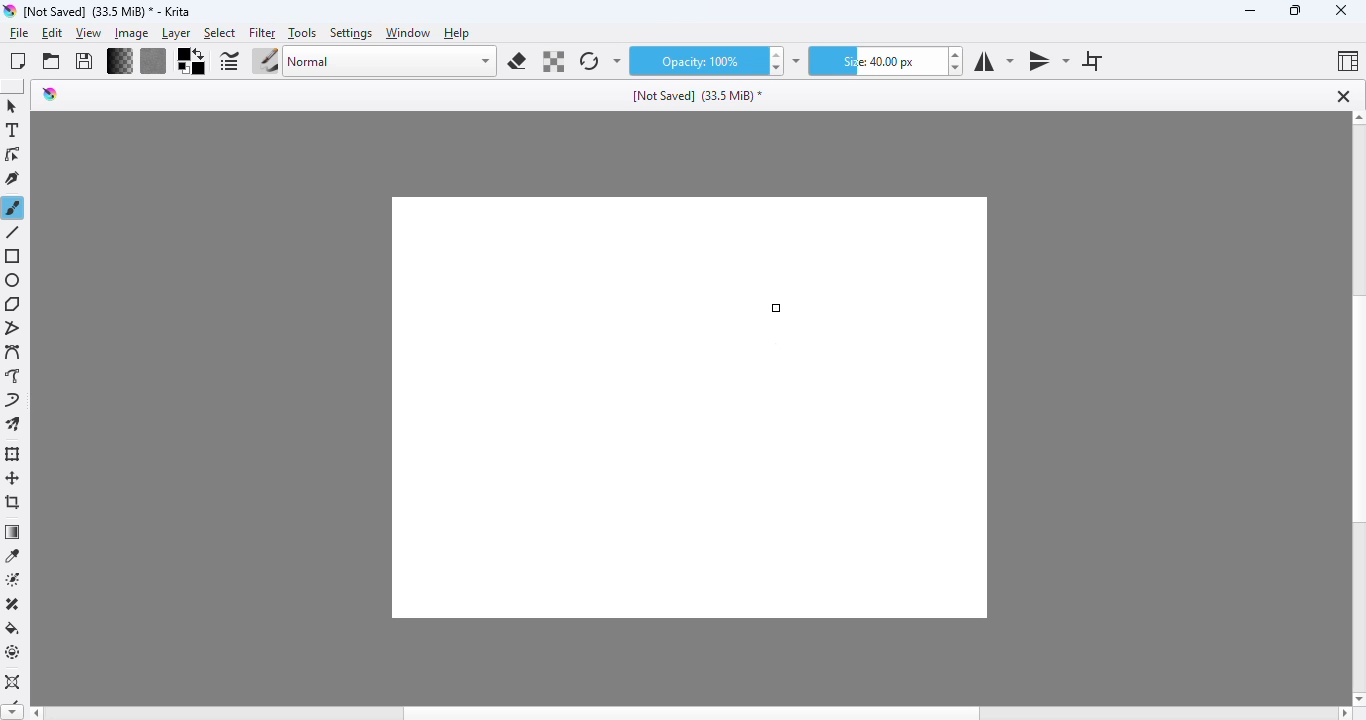 The height and width of the screenshot is (720, 1366). What do you see at coordinates (13, 629) in the screenshot?
I see `fill a selection` at bounding box center [13, 629].